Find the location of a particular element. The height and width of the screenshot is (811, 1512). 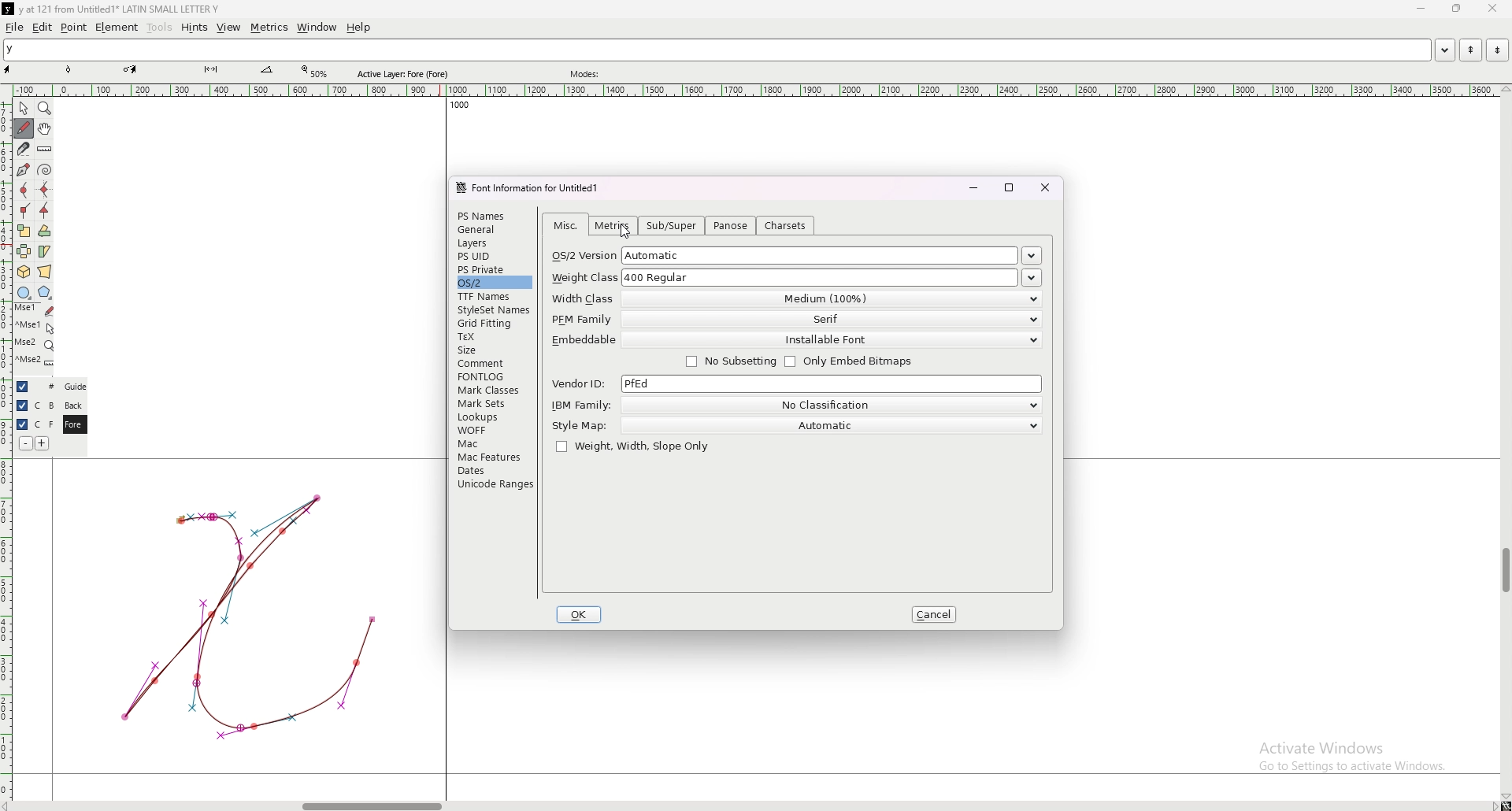

weight classes is located at coordinates (1032, 278).